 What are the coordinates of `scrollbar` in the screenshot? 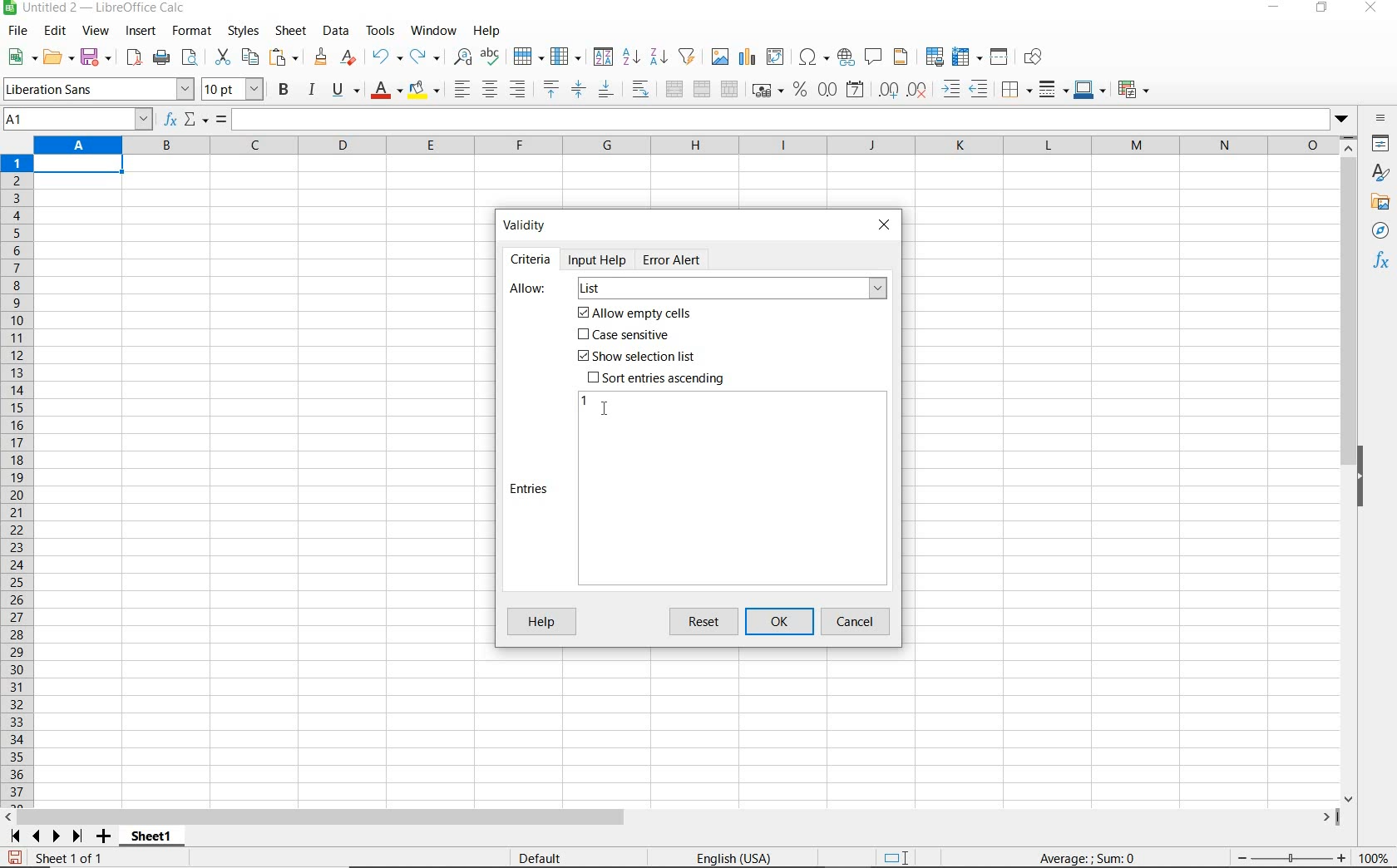 It's located at (1350, 470).